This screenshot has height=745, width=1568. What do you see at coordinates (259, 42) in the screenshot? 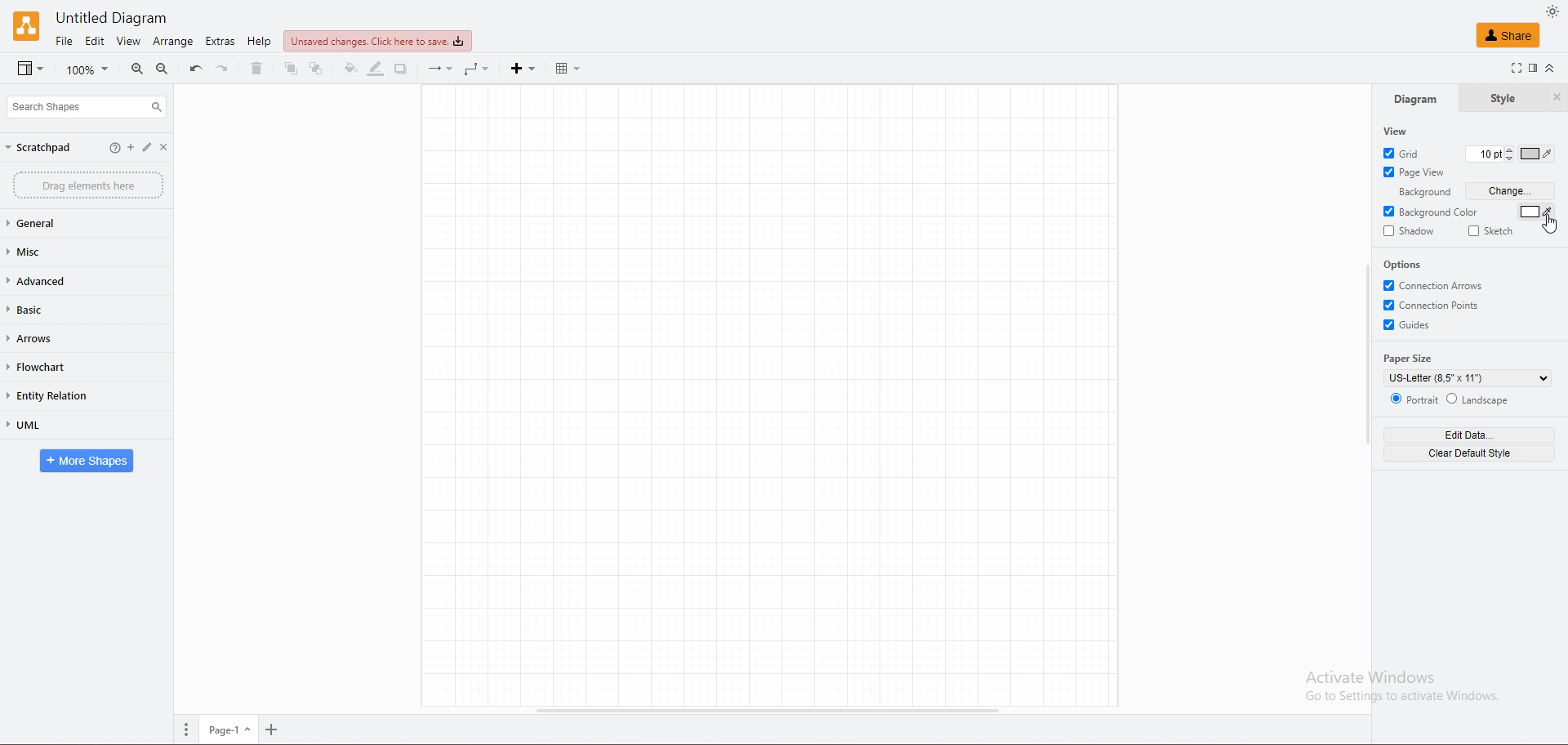
I see `help` at bounding box center [259, 42].